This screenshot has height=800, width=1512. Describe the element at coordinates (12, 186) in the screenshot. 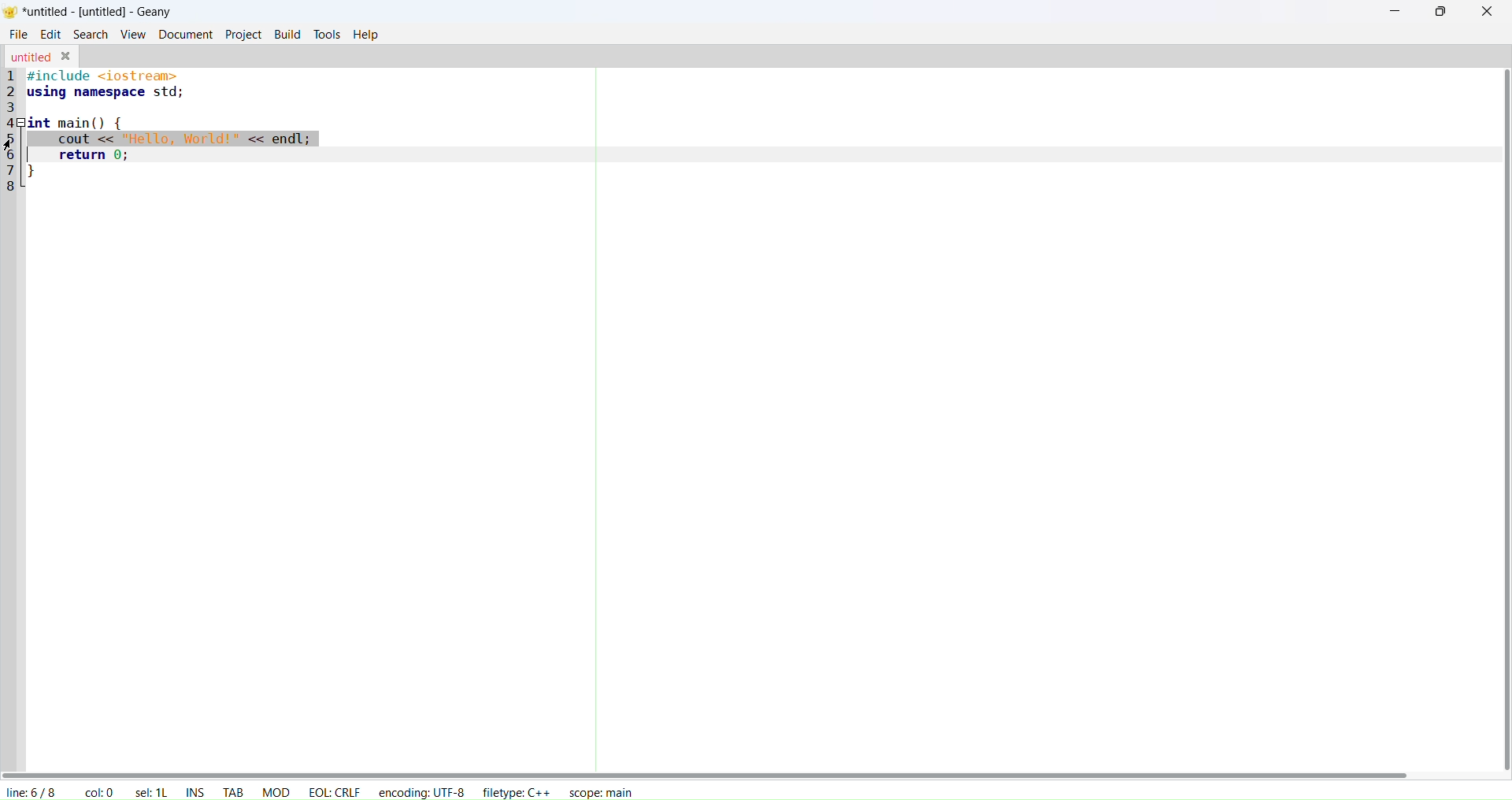

I see `8` at that location.